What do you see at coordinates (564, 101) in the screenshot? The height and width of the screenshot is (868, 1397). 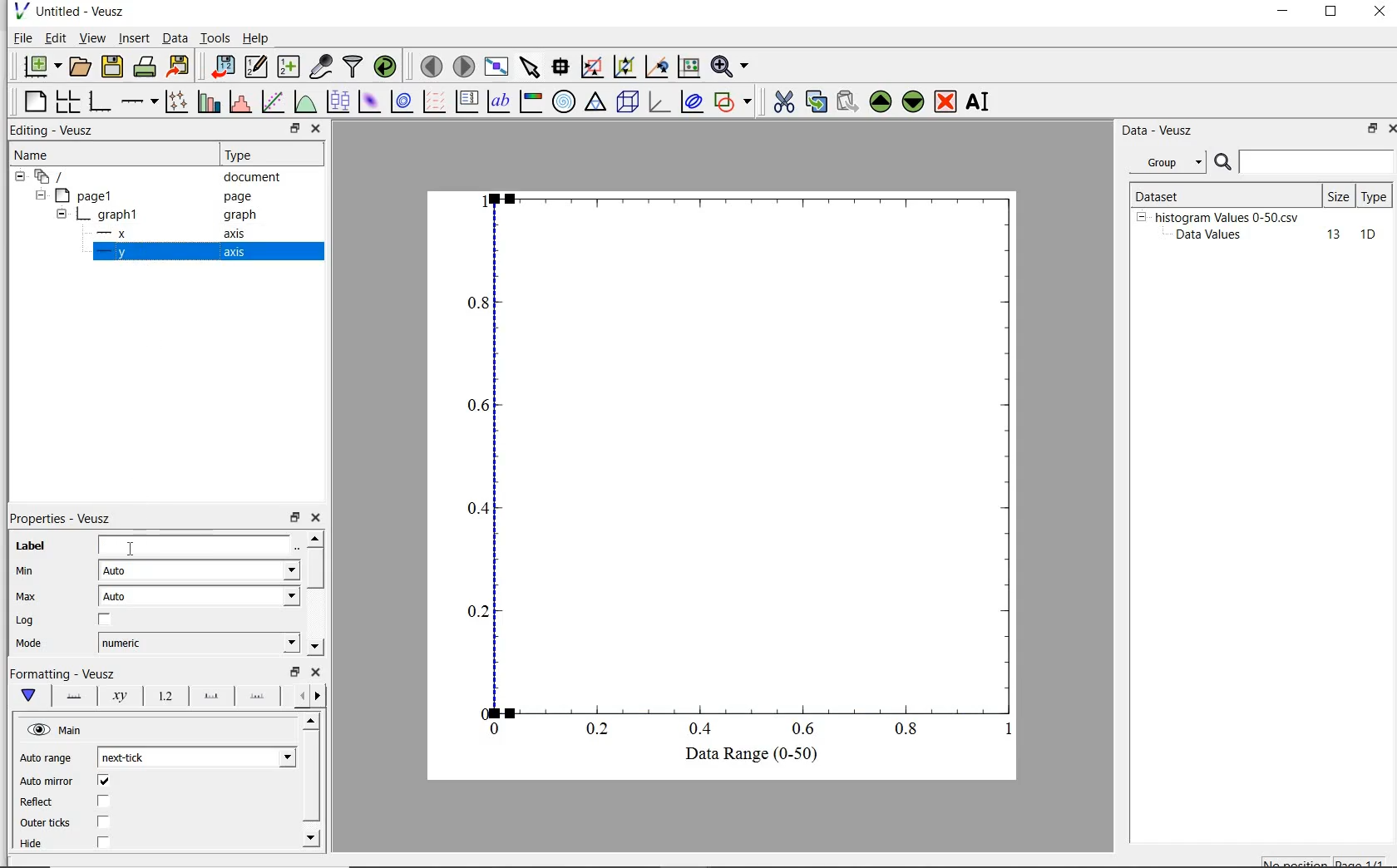 I see `polar graph` at bounding box center [564, 101].